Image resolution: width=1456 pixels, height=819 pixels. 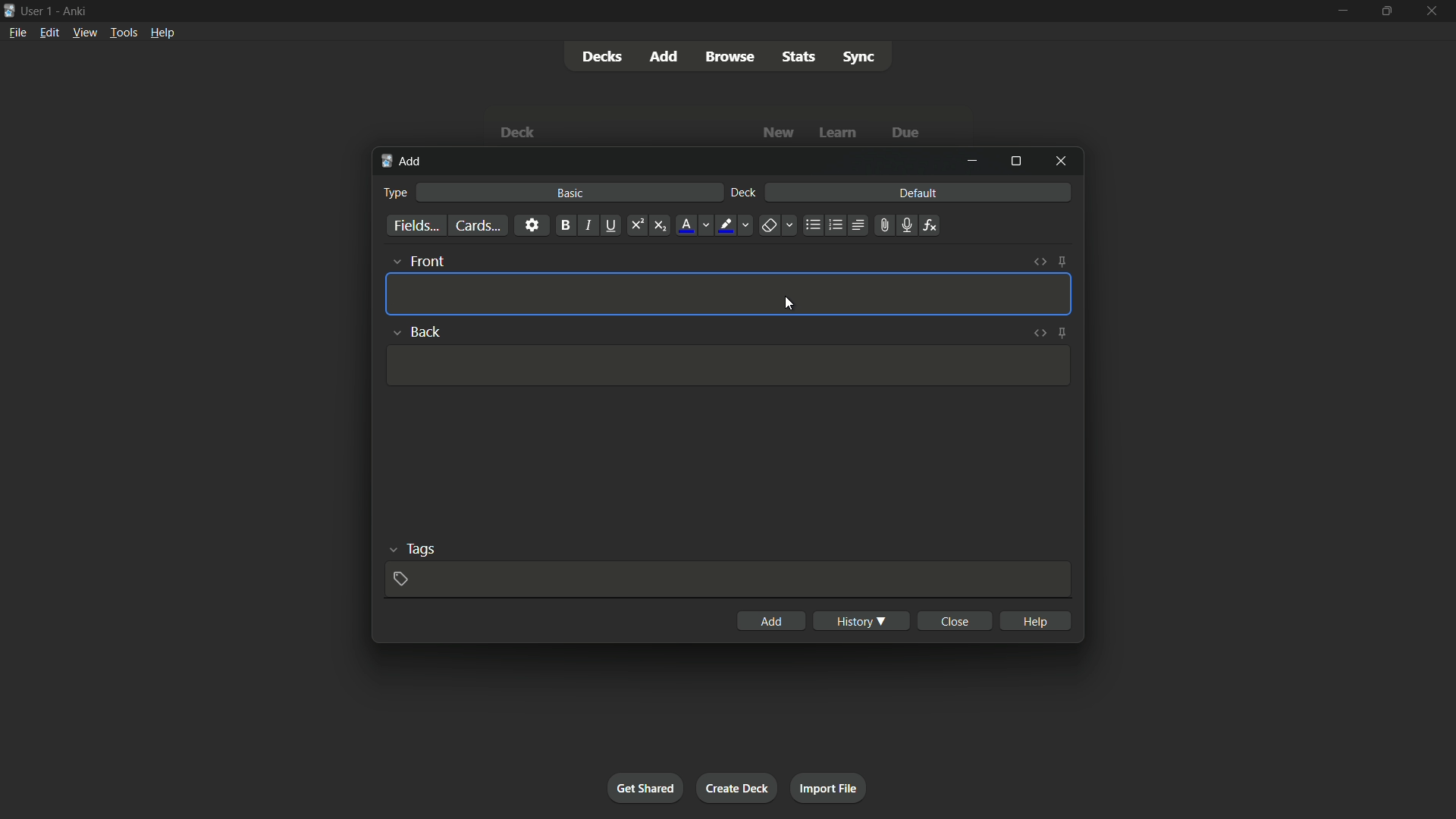 I want to click on back, so click(x=428, y=332).